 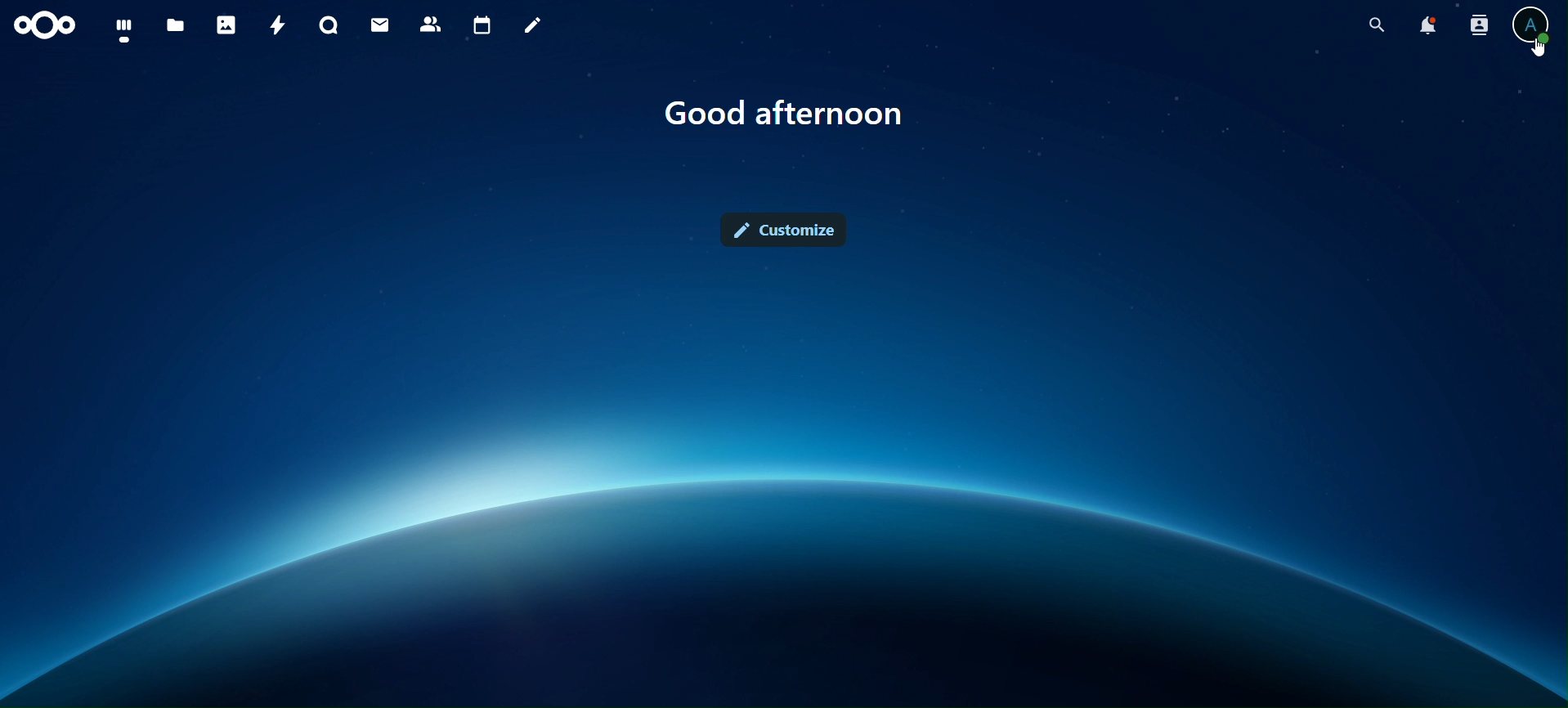 I want to click on view profile, so click(x=1530, y=24).